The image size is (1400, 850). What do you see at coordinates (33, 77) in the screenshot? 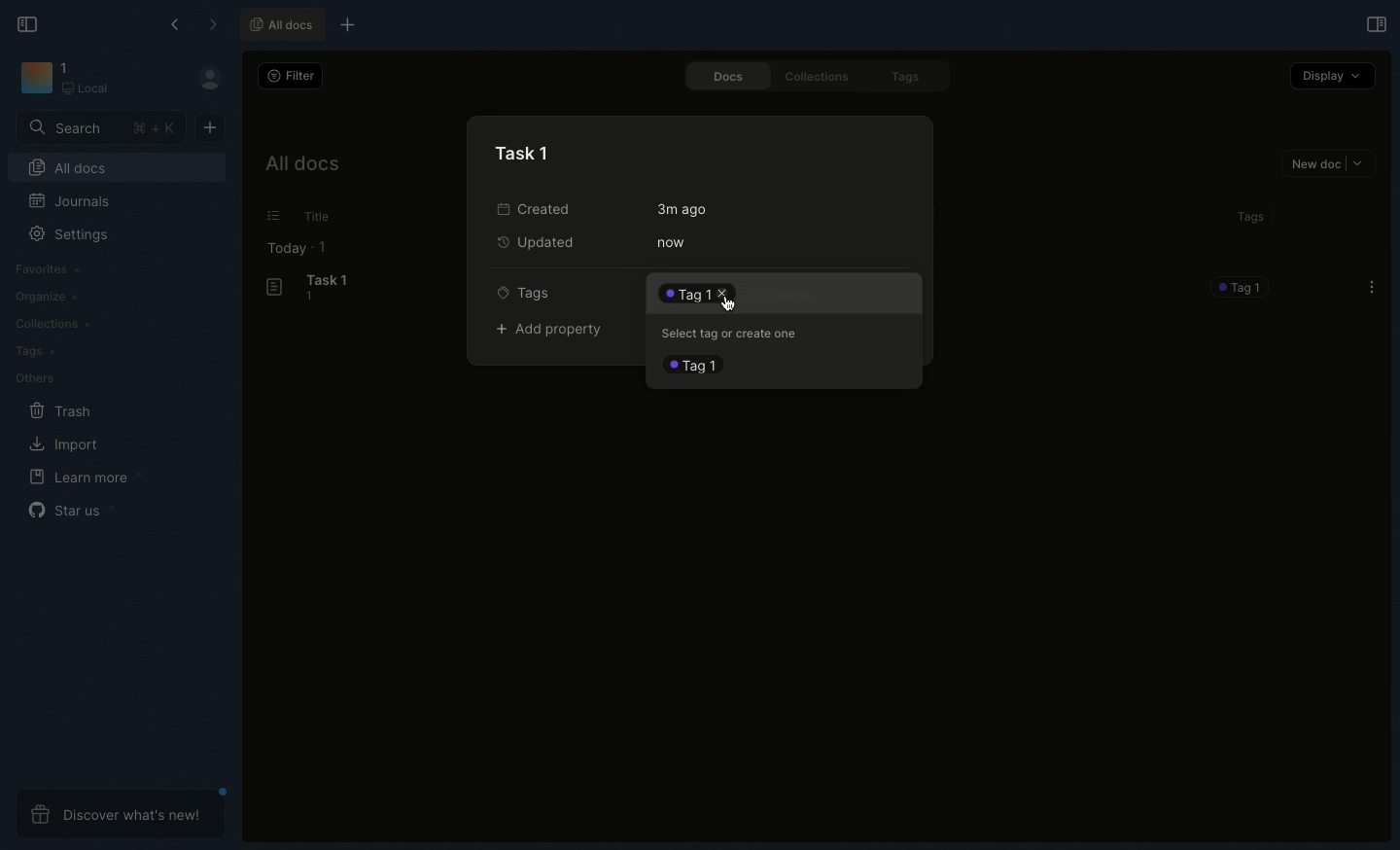
I see `Icon` at bounding box center [33, 77].